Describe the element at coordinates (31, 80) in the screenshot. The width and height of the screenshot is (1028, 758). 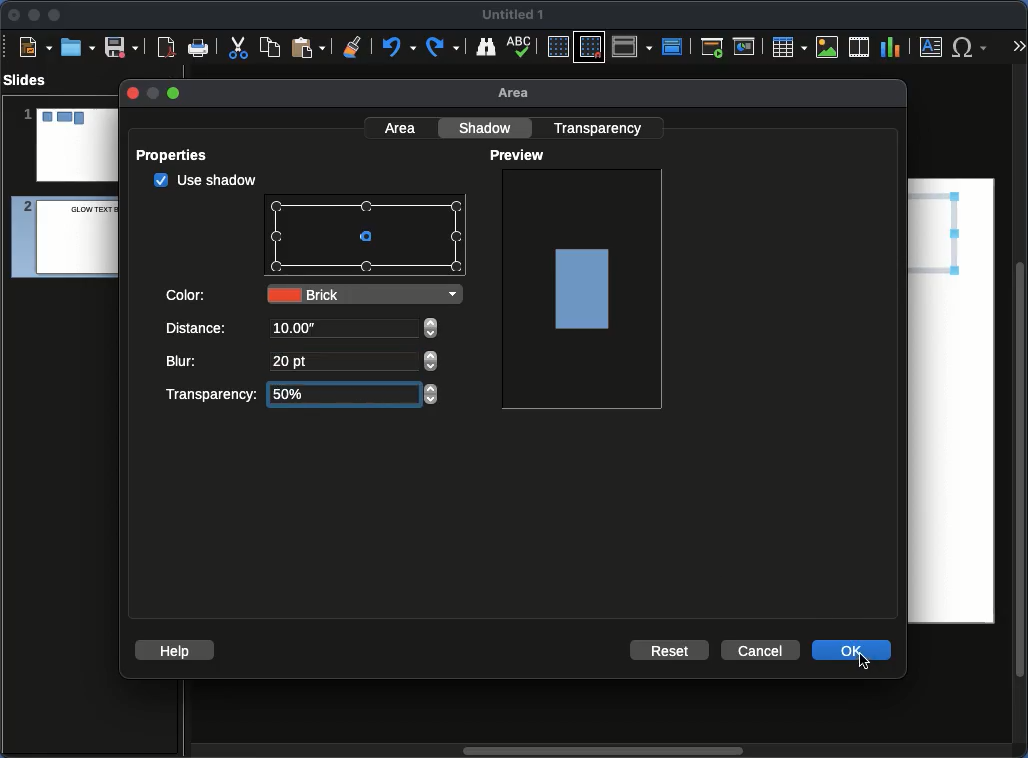
I see `Slides` at that location.